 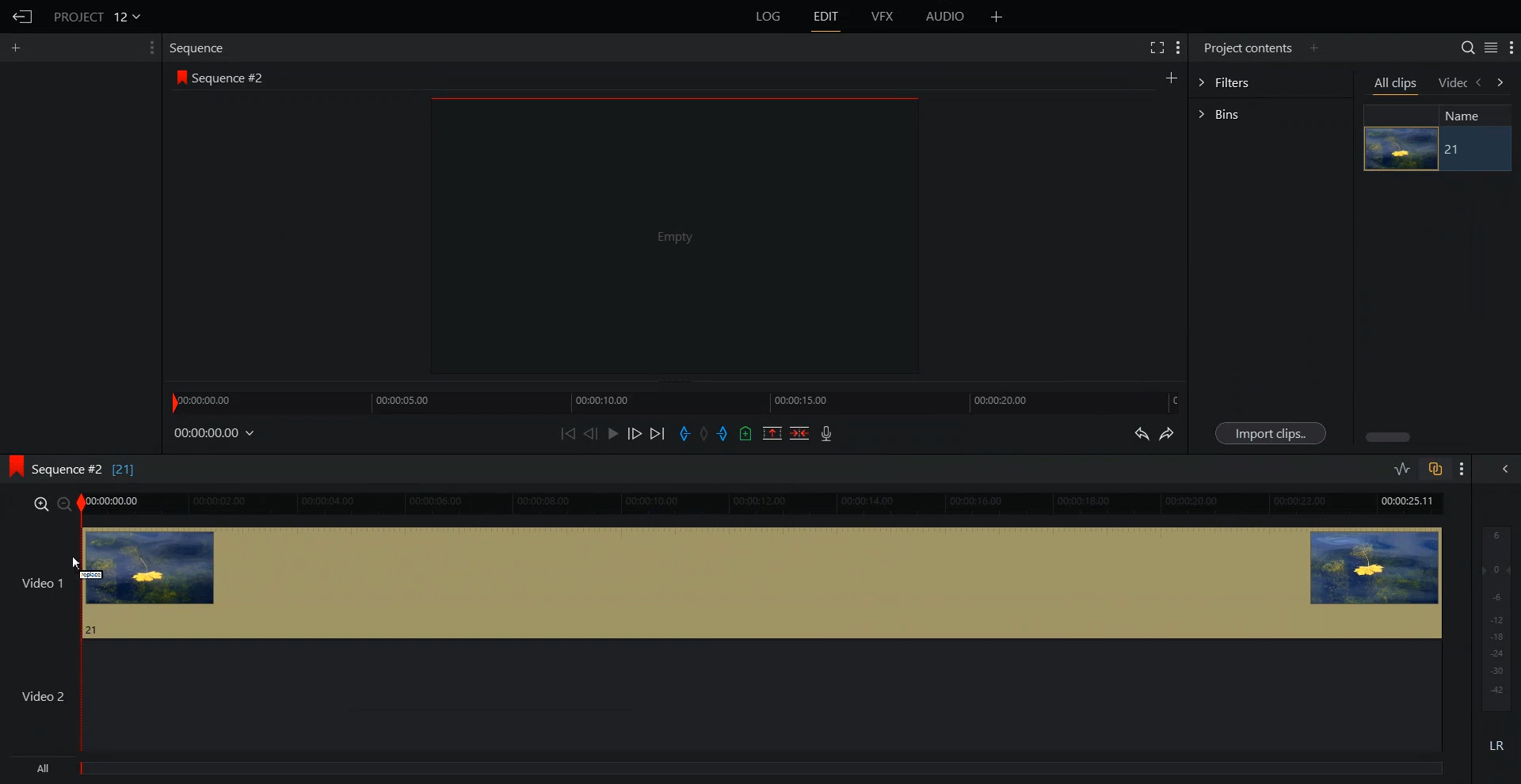 What do you see at coordinates (182, 79) in the screenshot?
I see `icon` at bounding box center [182, 79].